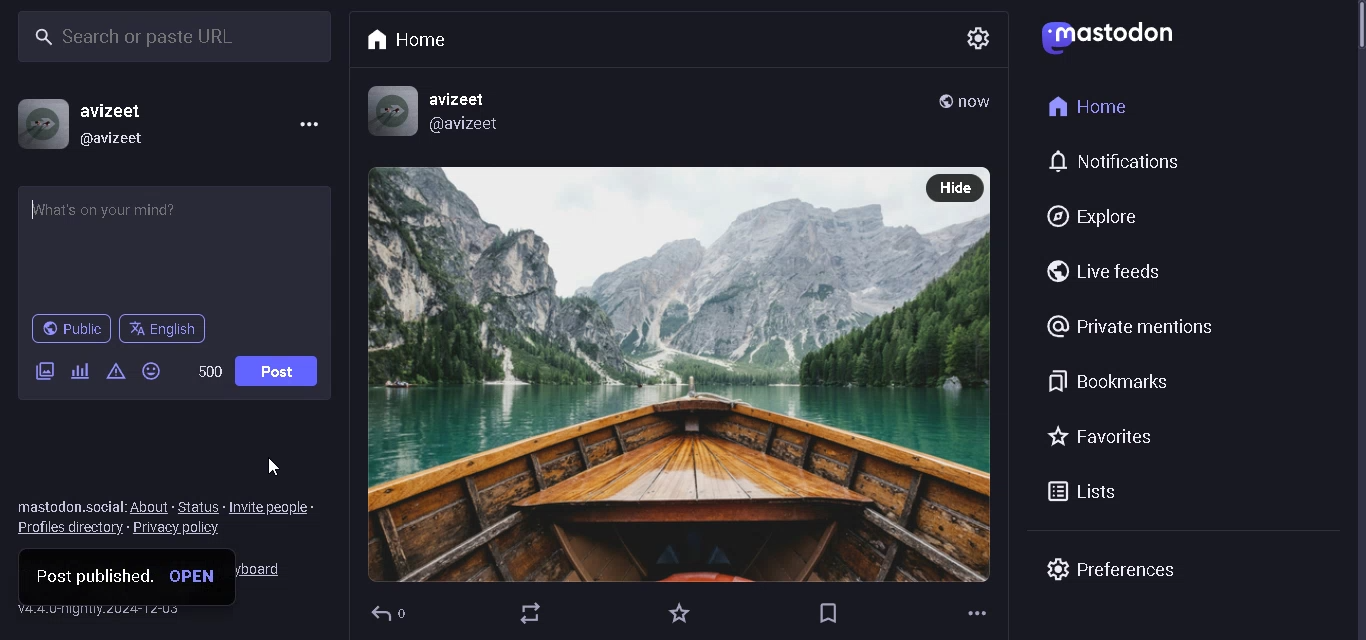 This screenshot has width=1366, height=640. Describe the element at coordinates (943, 102) in the screenshot. I see `public post` at that location.